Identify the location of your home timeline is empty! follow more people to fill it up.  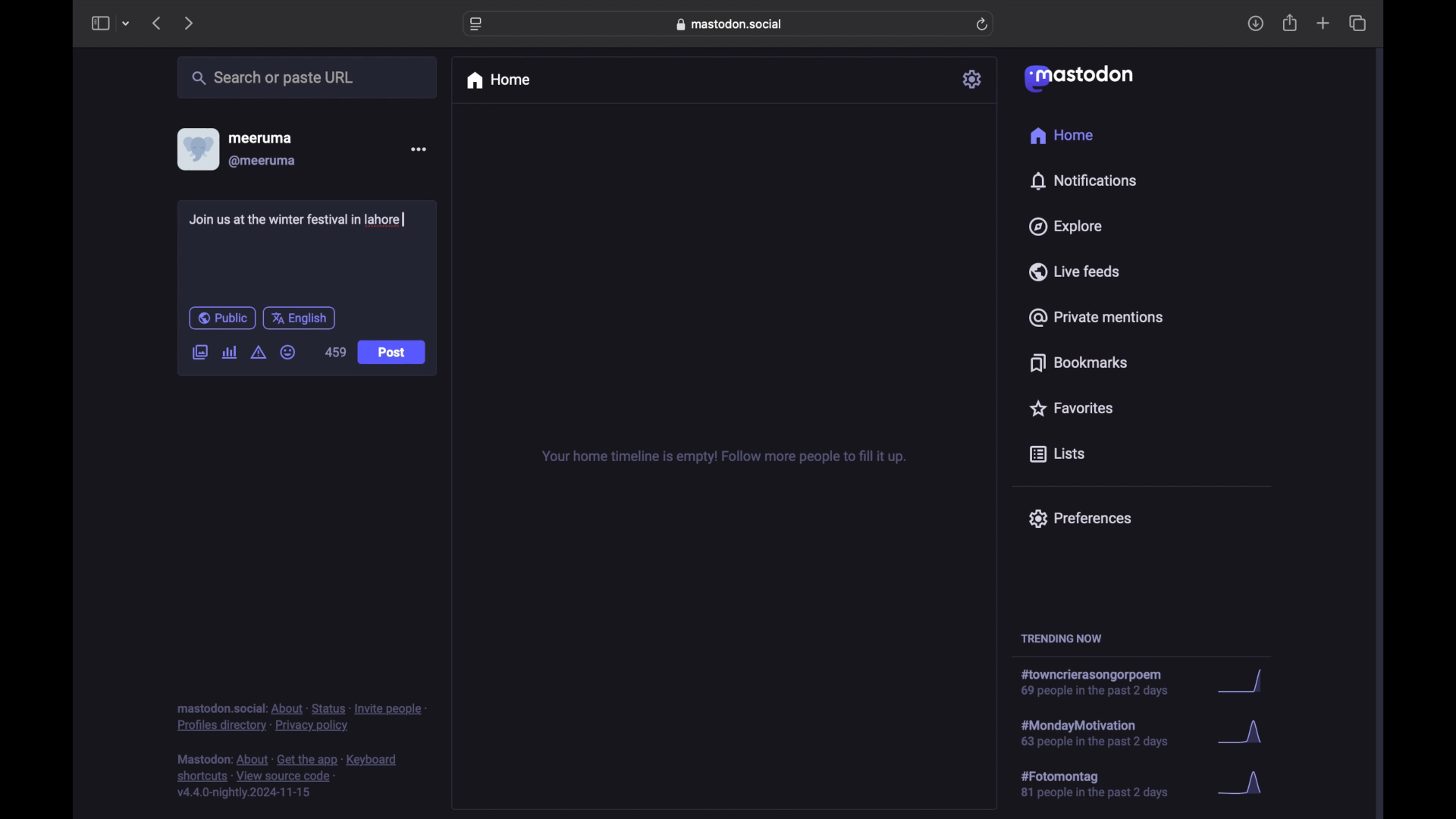
(723, 457).